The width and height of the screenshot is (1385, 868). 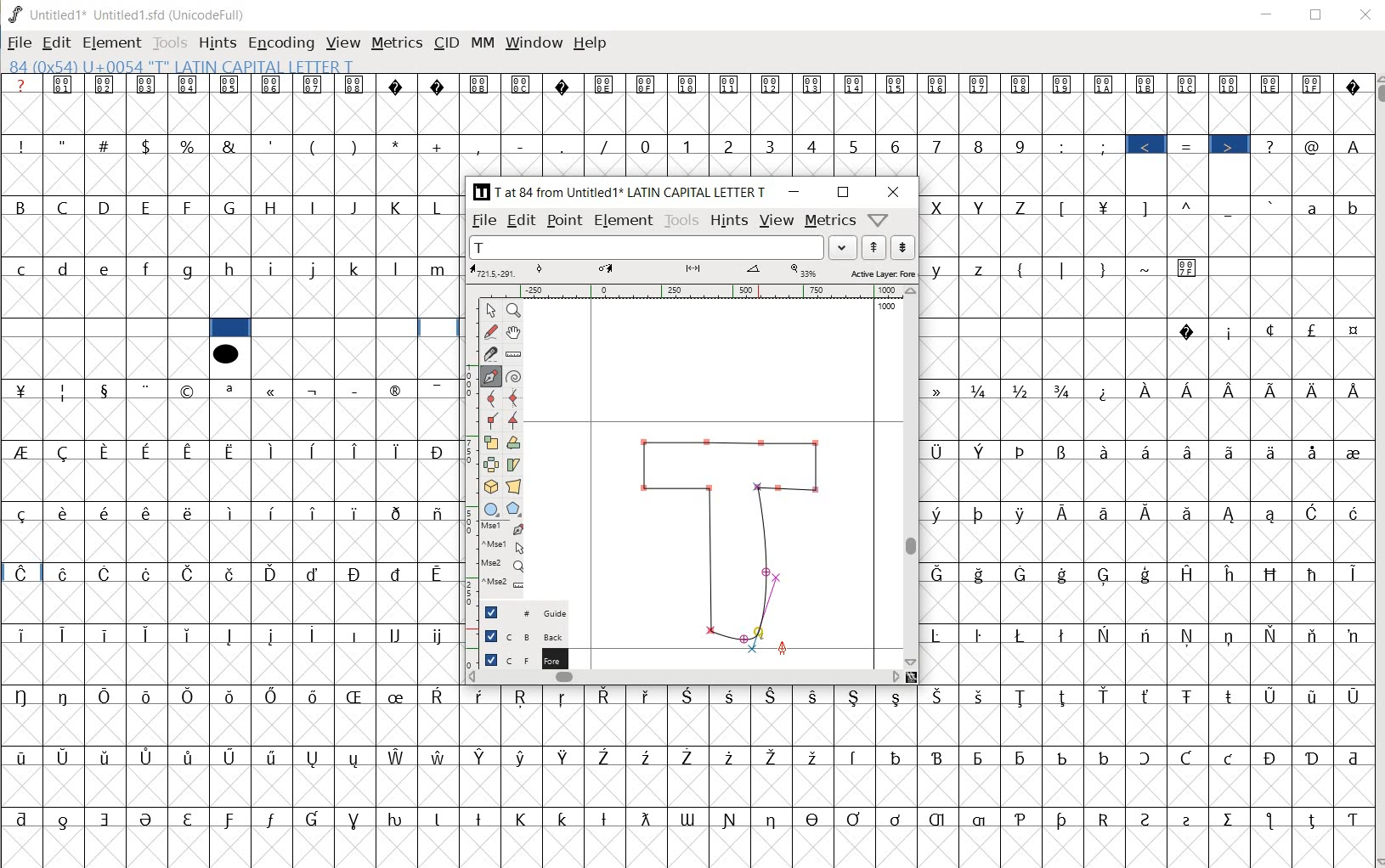 What do you see at coordinates (523, 84) in the screenshot?
I see `Symbol` at bounding box center [523, 84].